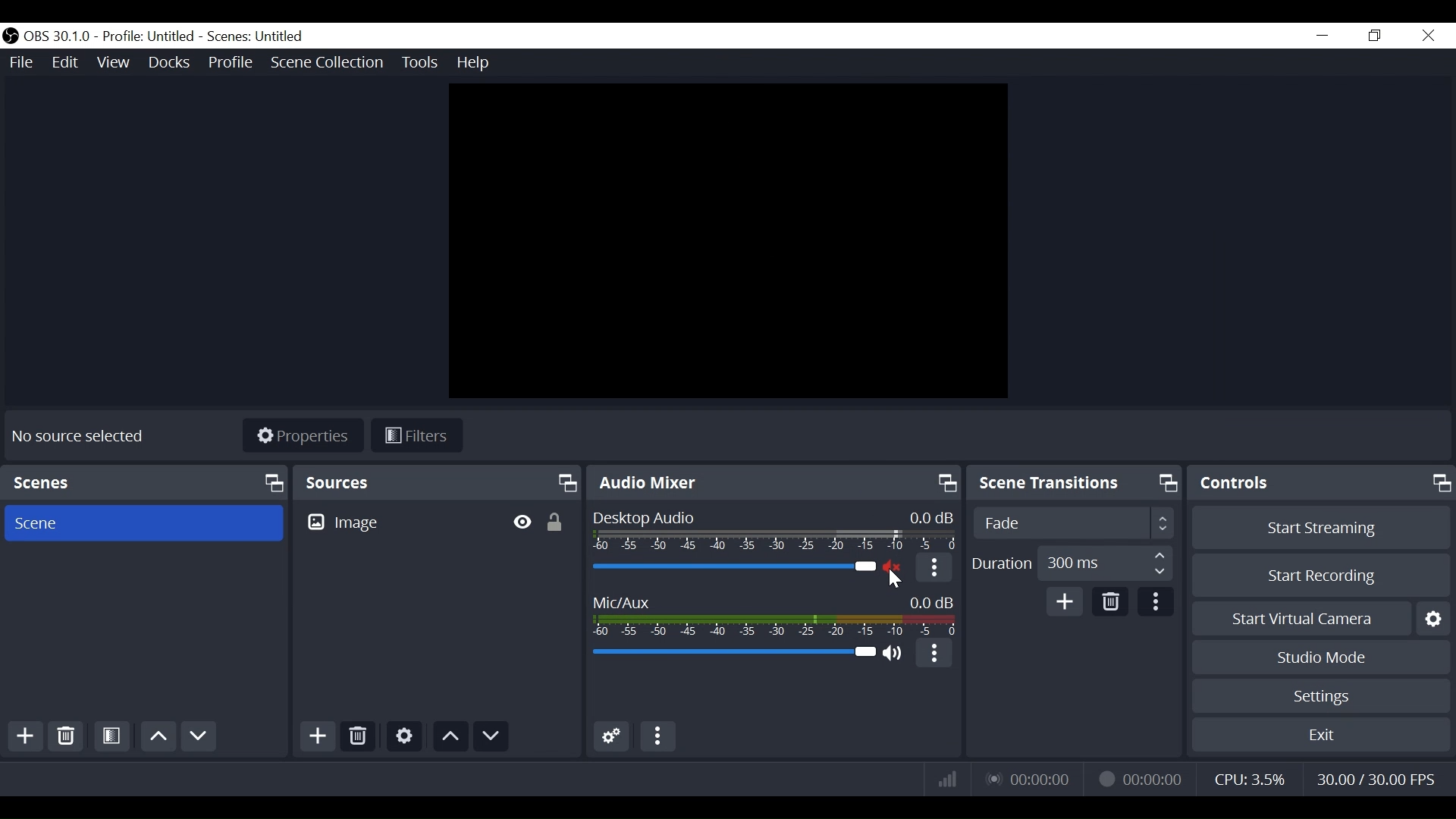 The height and width of the screenshot is (819, 1456). I want to click on Scene Collection, so click(329, 63).